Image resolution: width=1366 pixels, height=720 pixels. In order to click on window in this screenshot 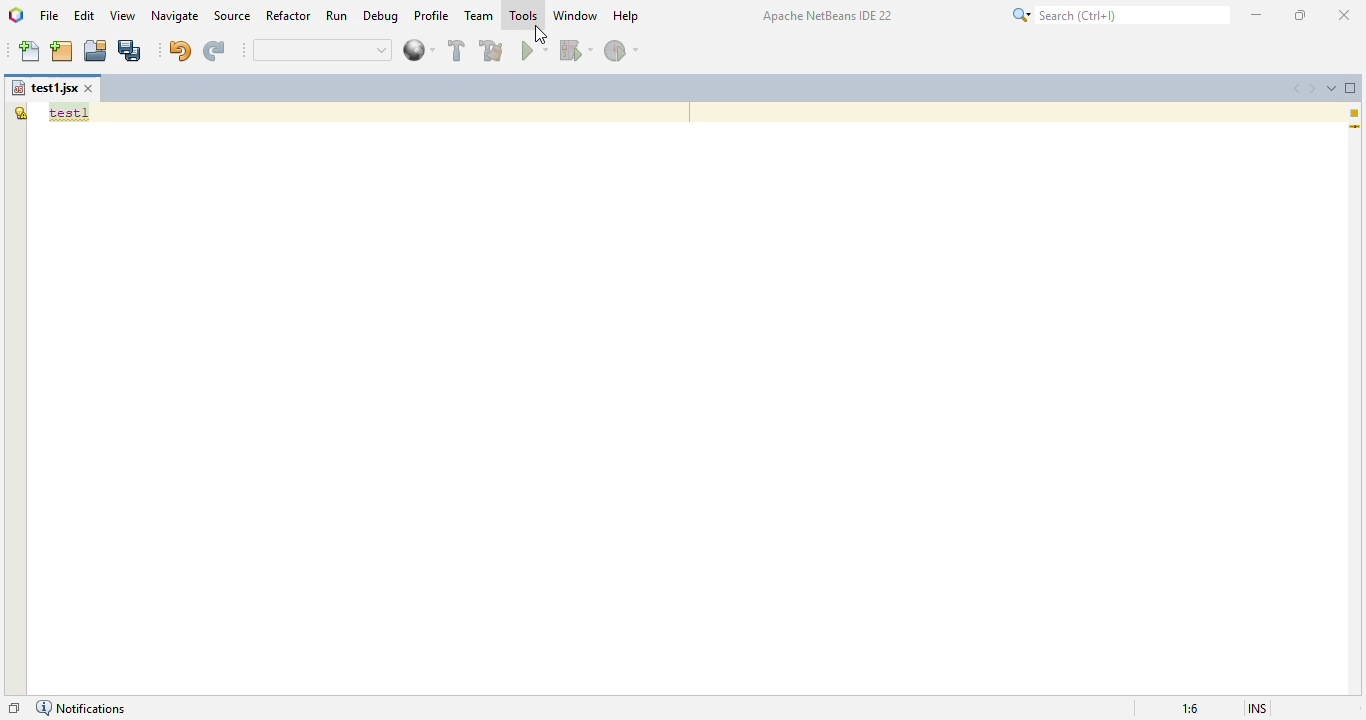, I will do `click(576, 15)`.